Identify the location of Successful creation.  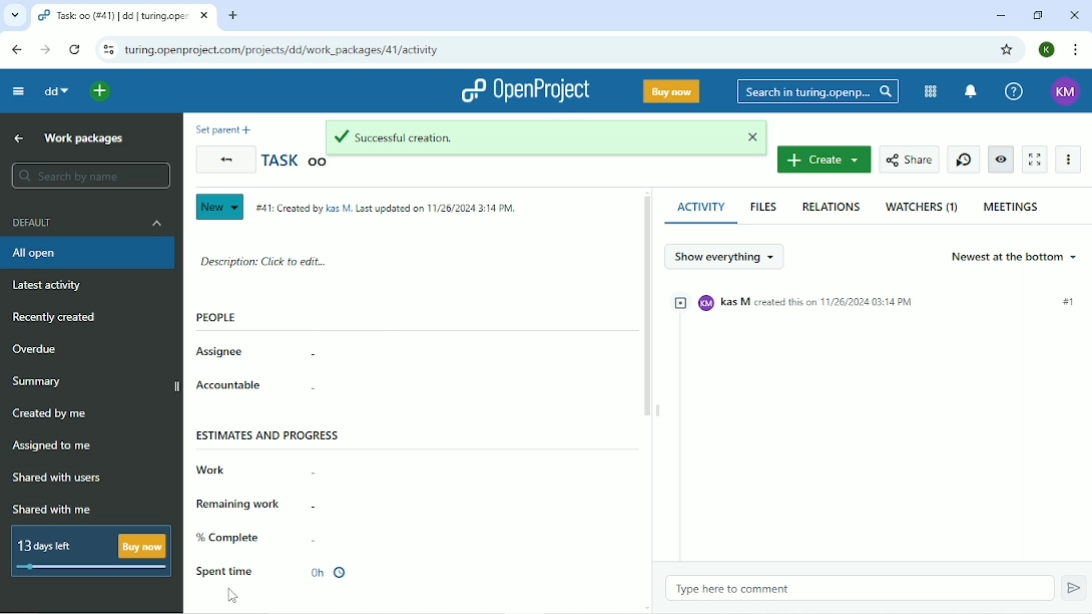
(509, 136).